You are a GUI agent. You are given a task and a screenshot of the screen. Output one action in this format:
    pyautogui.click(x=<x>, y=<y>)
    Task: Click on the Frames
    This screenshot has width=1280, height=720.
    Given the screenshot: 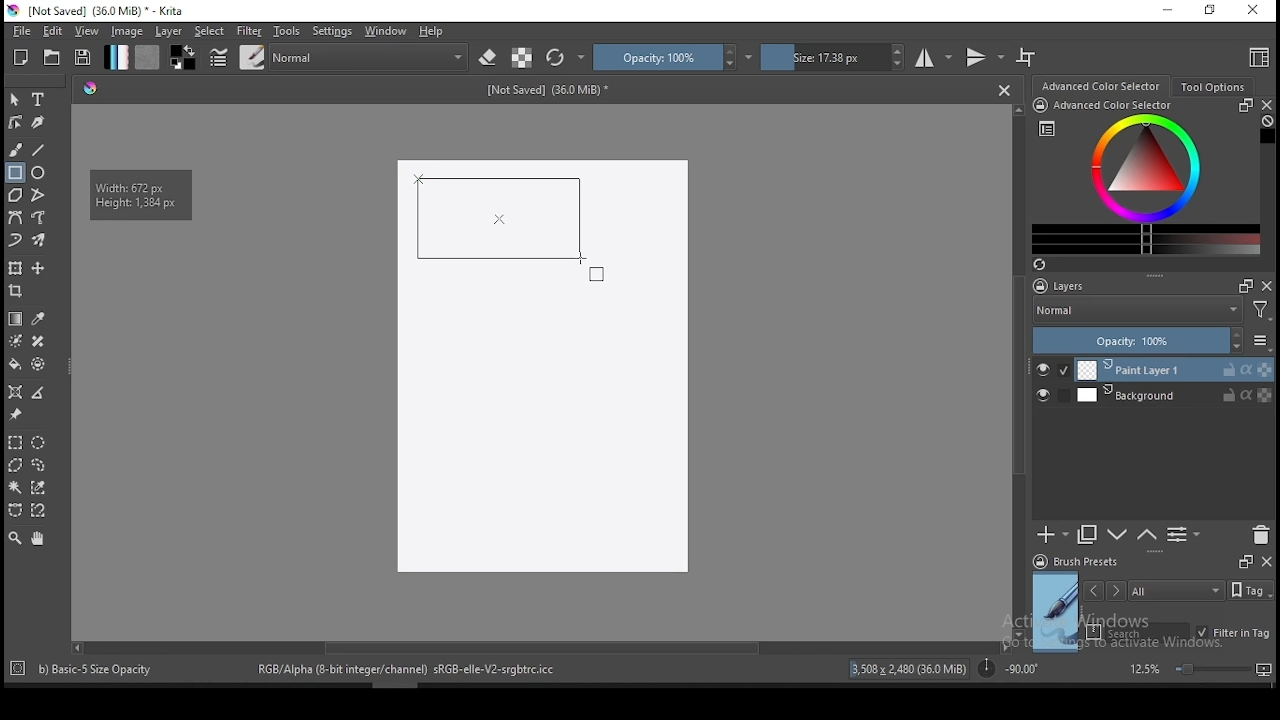 What is the action you would take?
    pyautogui.click(x=1245, y=561)
    